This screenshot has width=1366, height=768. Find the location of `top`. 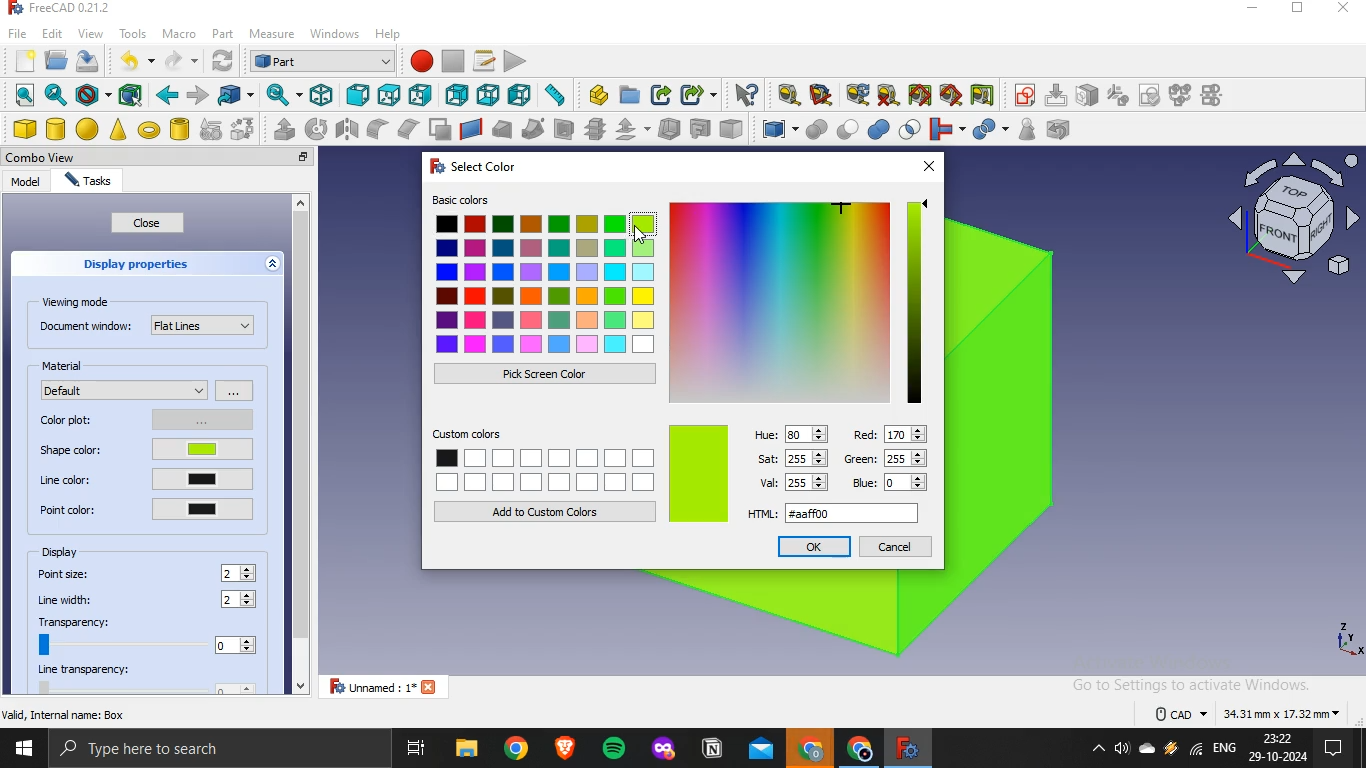

top is located at coordinates (388, 96).